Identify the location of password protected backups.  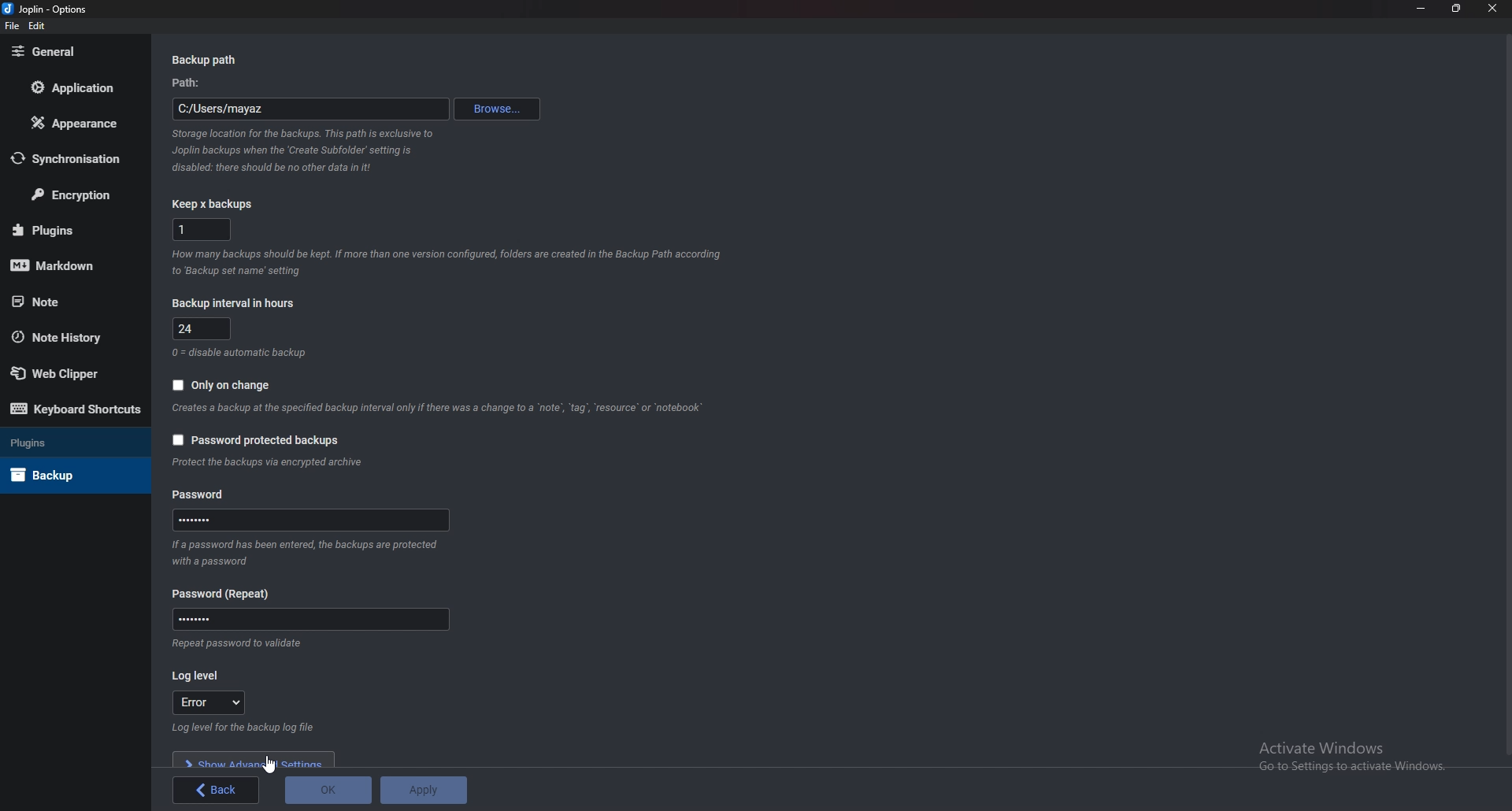
(257, 440).